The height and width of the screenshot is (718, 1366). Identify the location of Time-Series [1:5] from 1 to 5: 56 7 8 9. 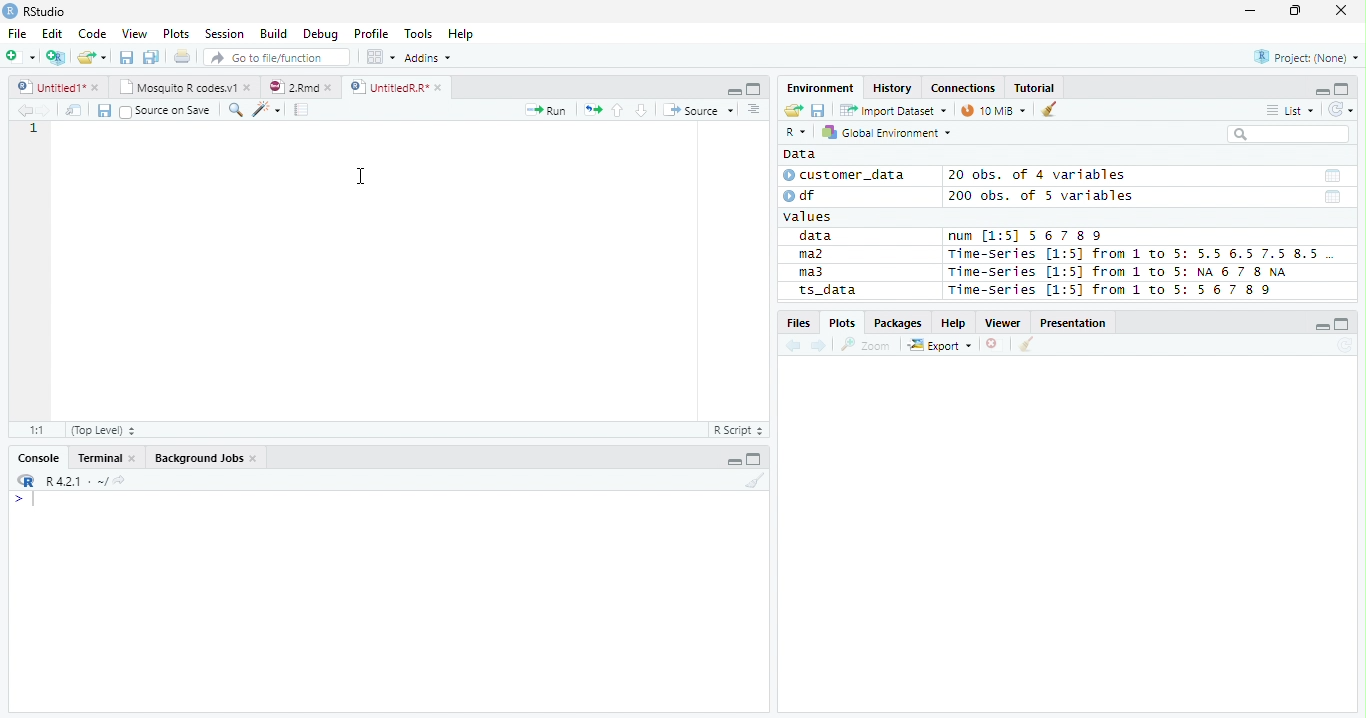
(1112, 290).